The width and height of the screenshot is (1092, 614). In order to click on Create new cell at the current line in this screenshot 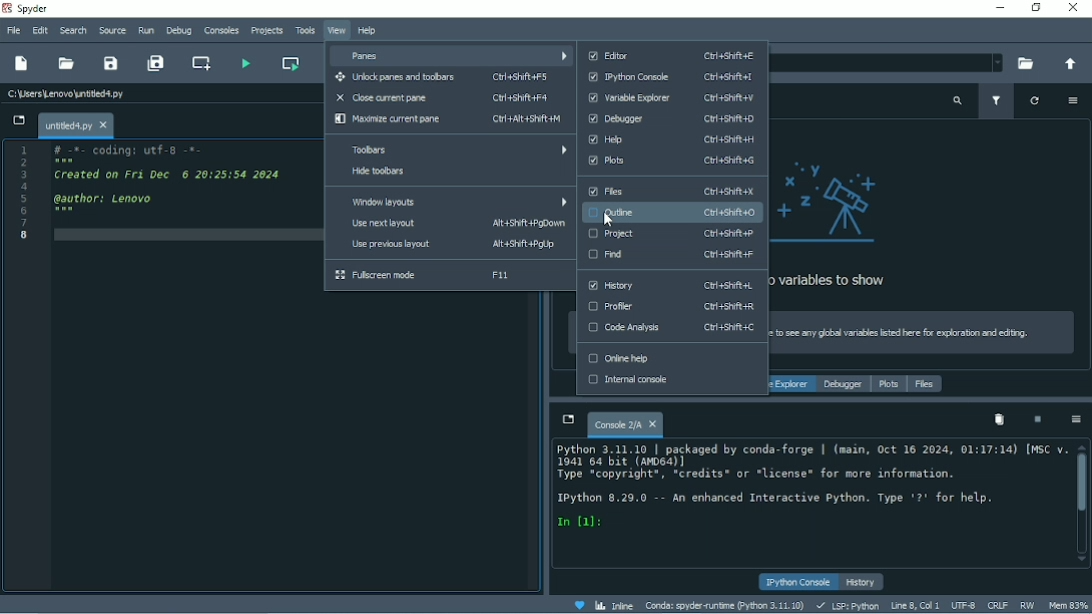, I will do `click(203, 63)`.